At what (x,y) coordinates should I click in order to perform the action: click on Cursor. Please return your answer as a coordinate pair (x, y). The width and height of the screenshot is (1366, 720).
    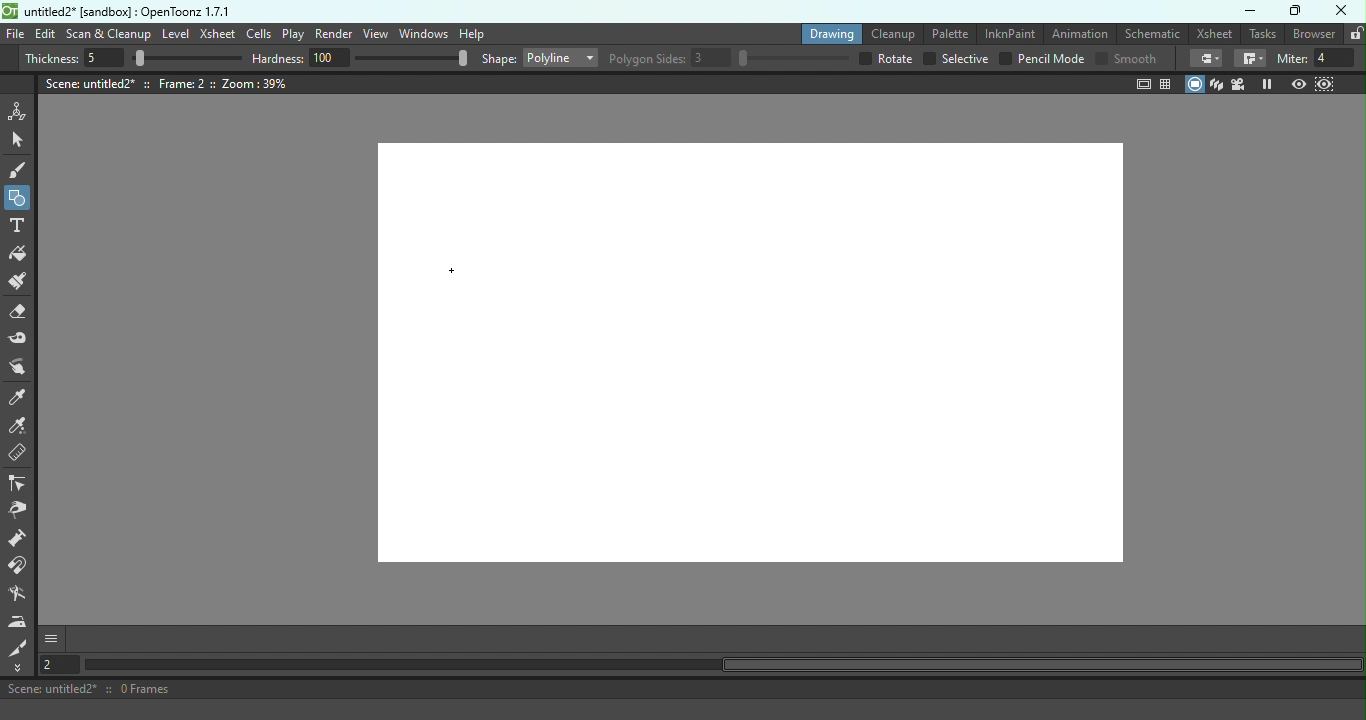
    Looking at the image, I should click on (445, 279).